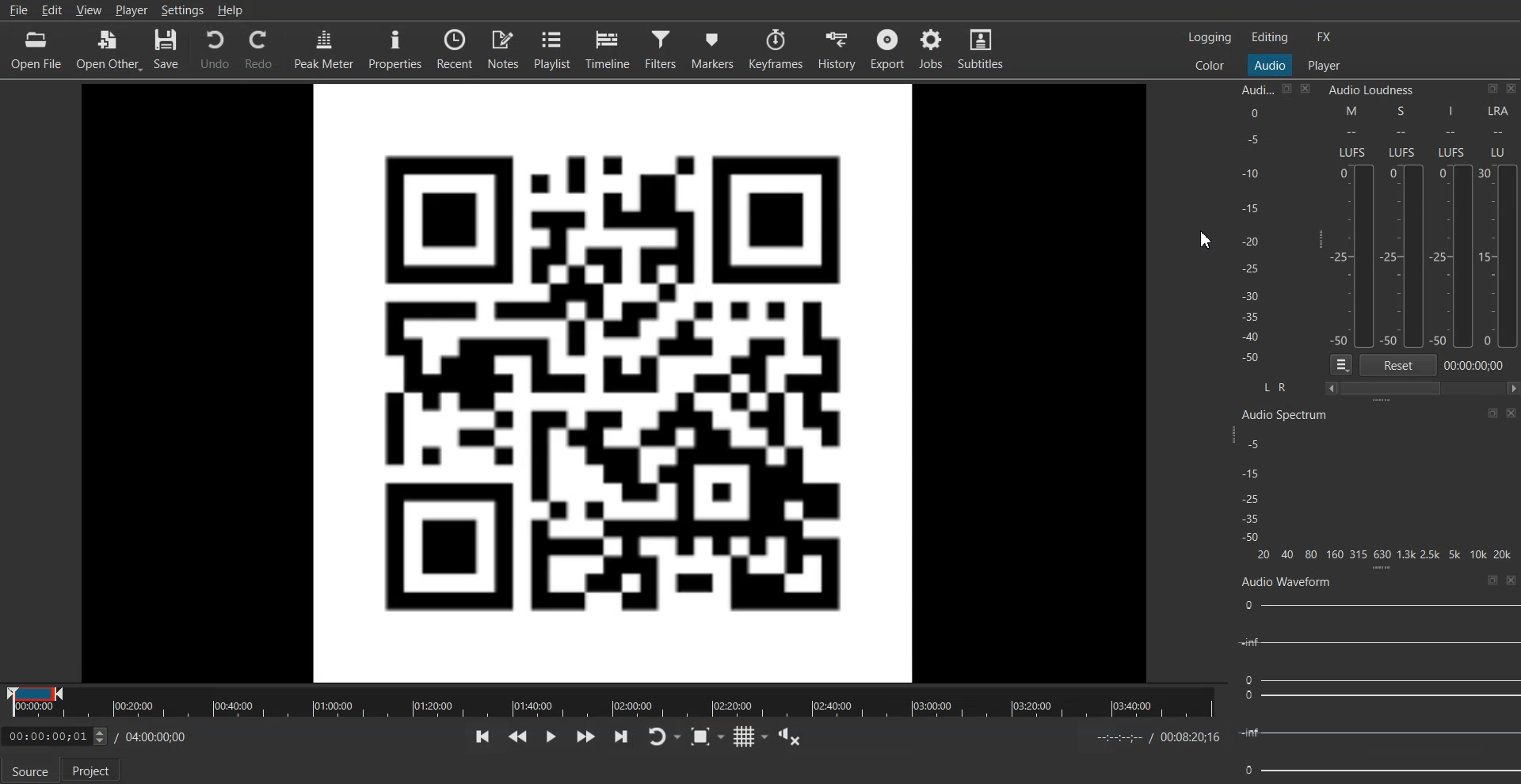 The image size is (1521, 784). Describe the element at coordinates (751, 736) in the screenshot. I see `Toggle grid display to the player` at that location.